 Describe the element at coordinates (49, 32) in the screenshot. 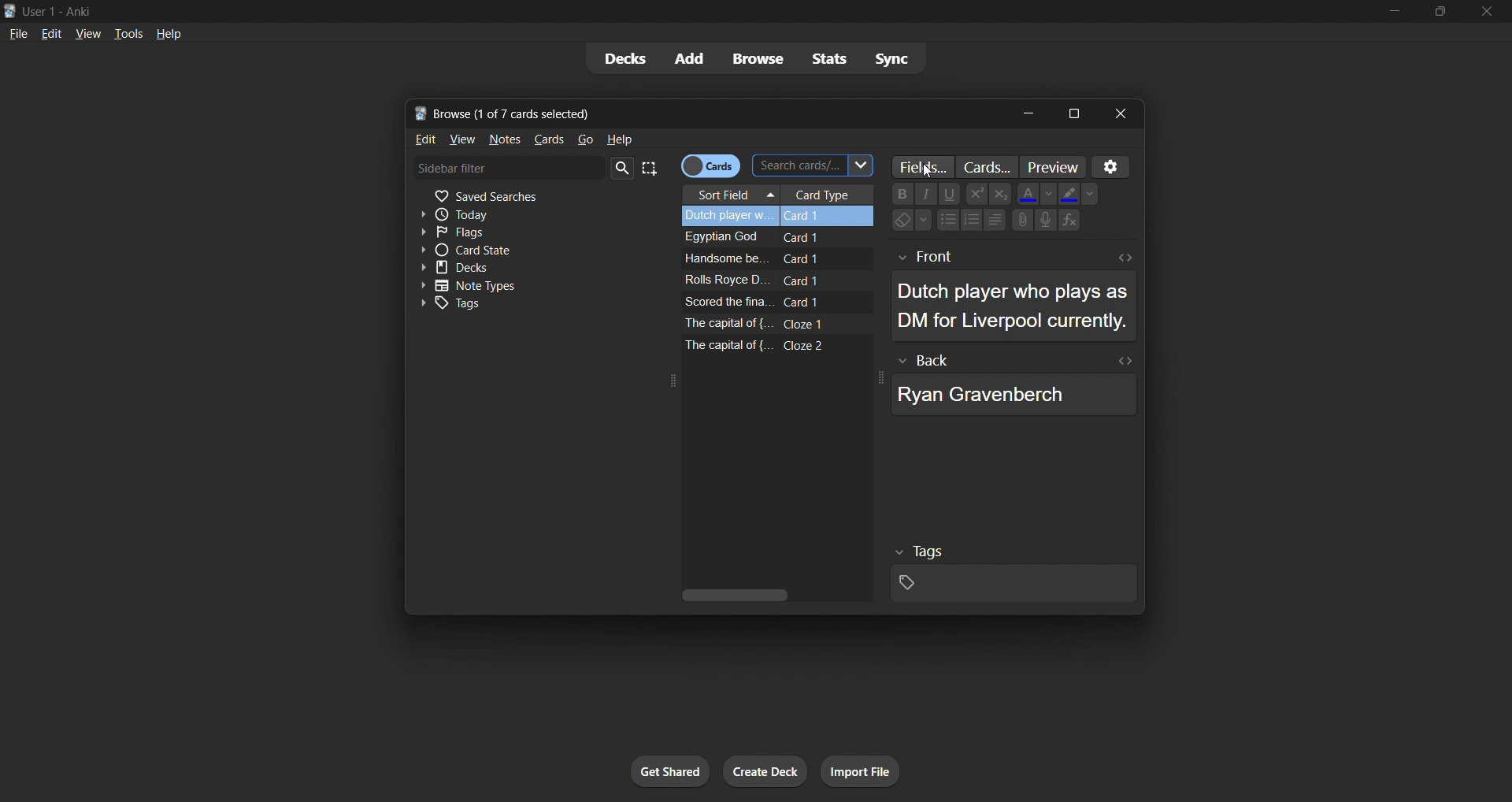

I see `edit` at that location.